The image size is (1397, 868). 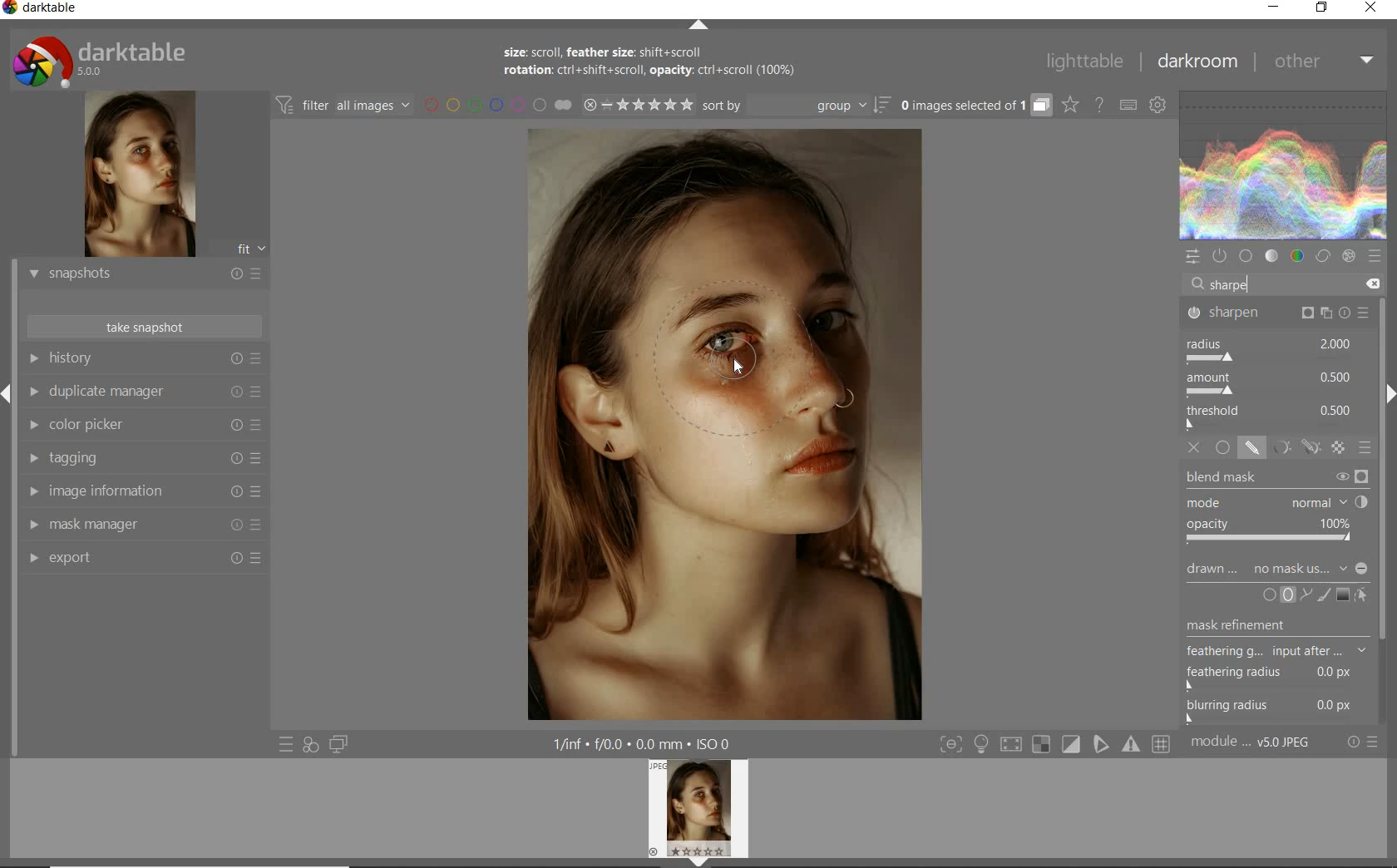 I want to click on DRAWN MASK, so click(x=1275, y=569).